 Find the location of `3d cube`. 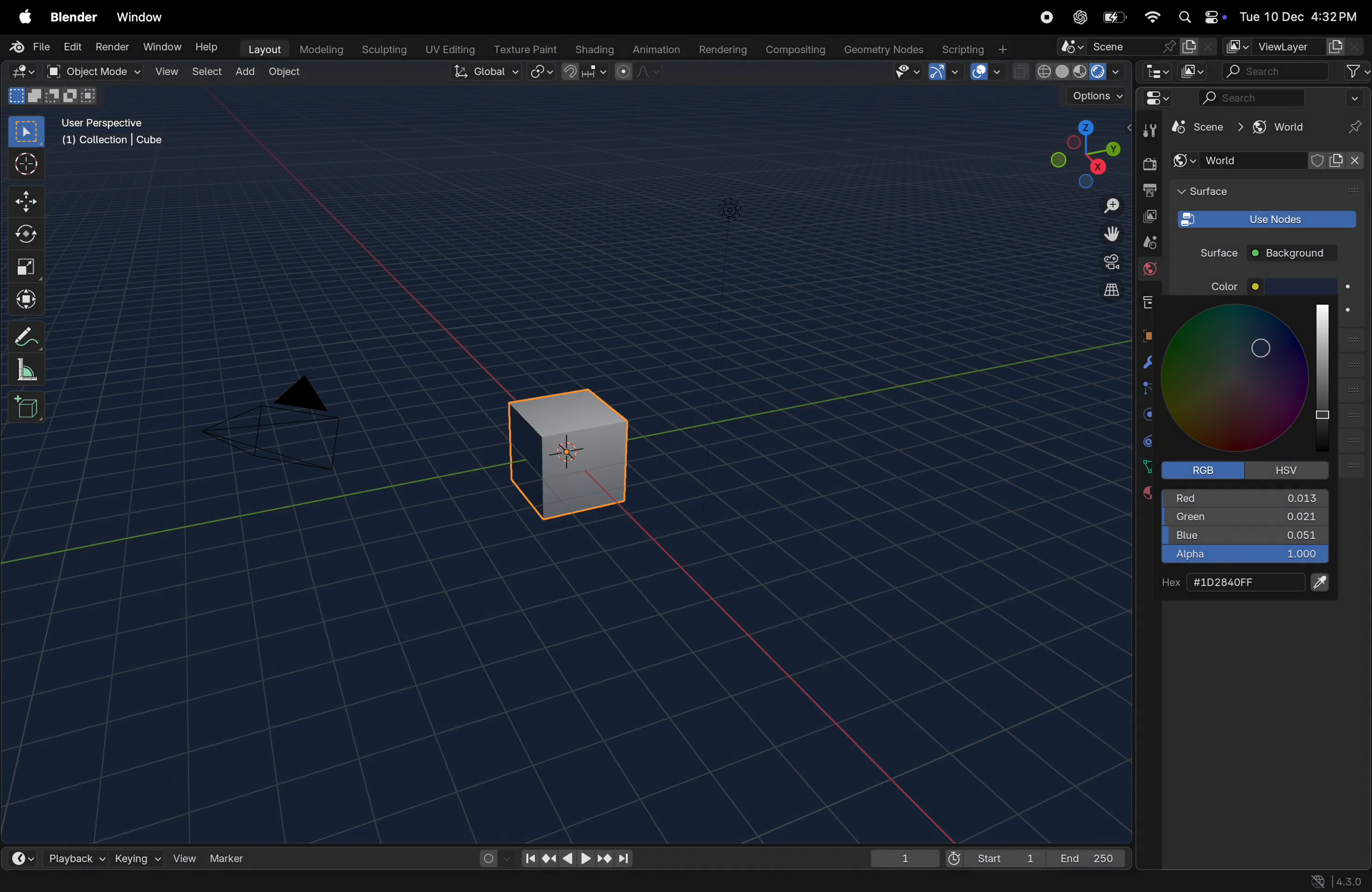

3d cube is located at coordinates (576, 448).